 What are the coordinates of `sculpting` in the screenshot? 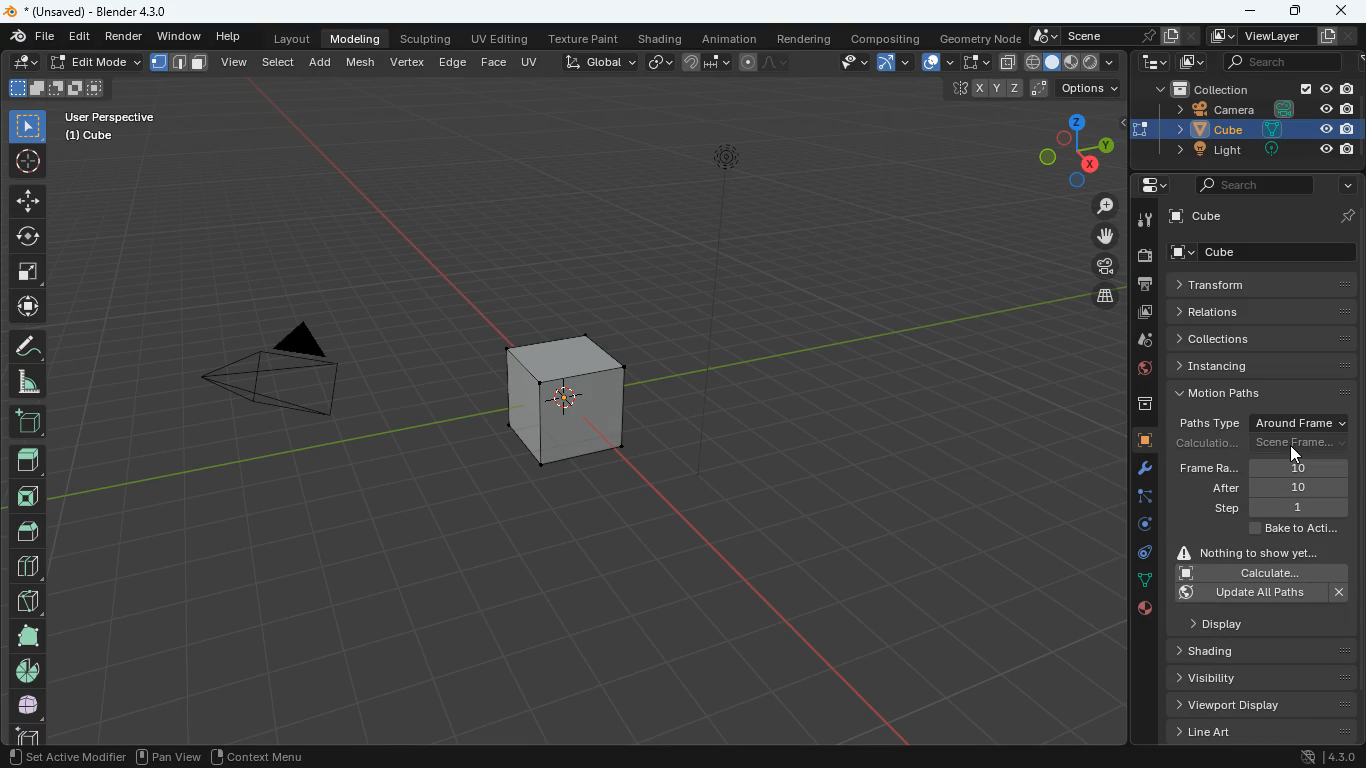 It's located at (424, 37).